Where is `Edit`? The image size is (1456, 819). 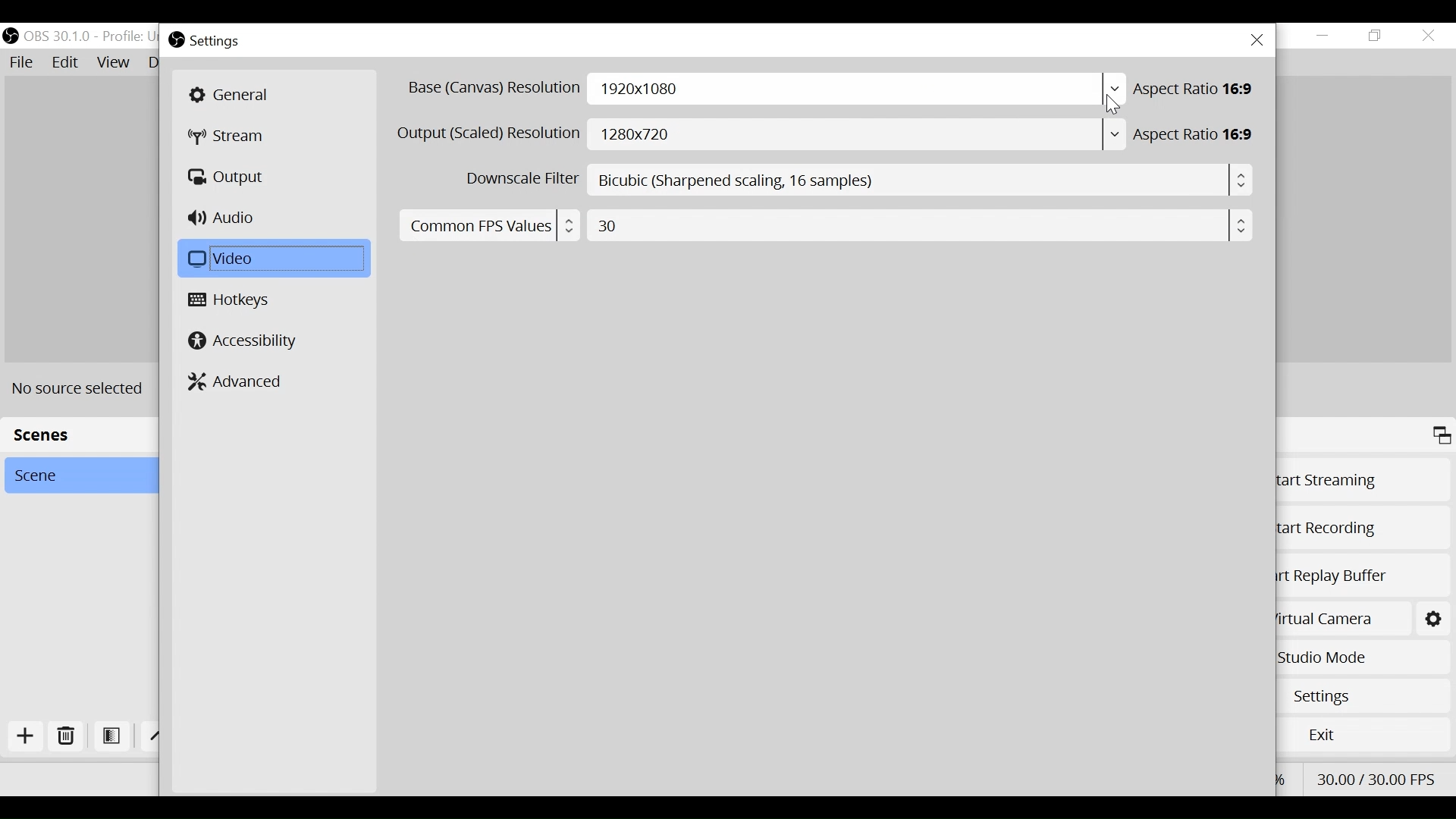
Edit is located at coordinates (66, 63).